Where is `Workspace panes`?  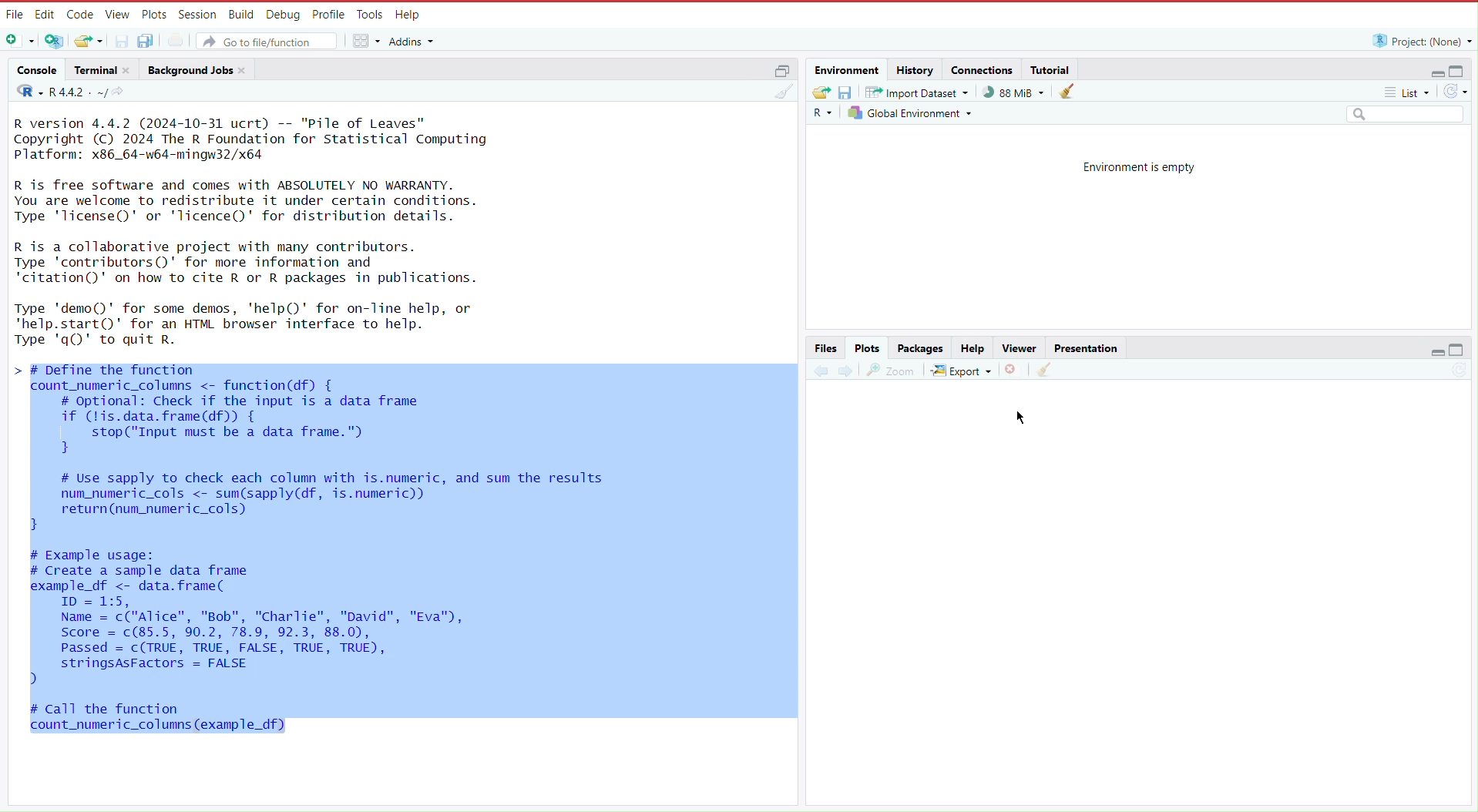
Workspace panes is located at coordinates (365, 39).